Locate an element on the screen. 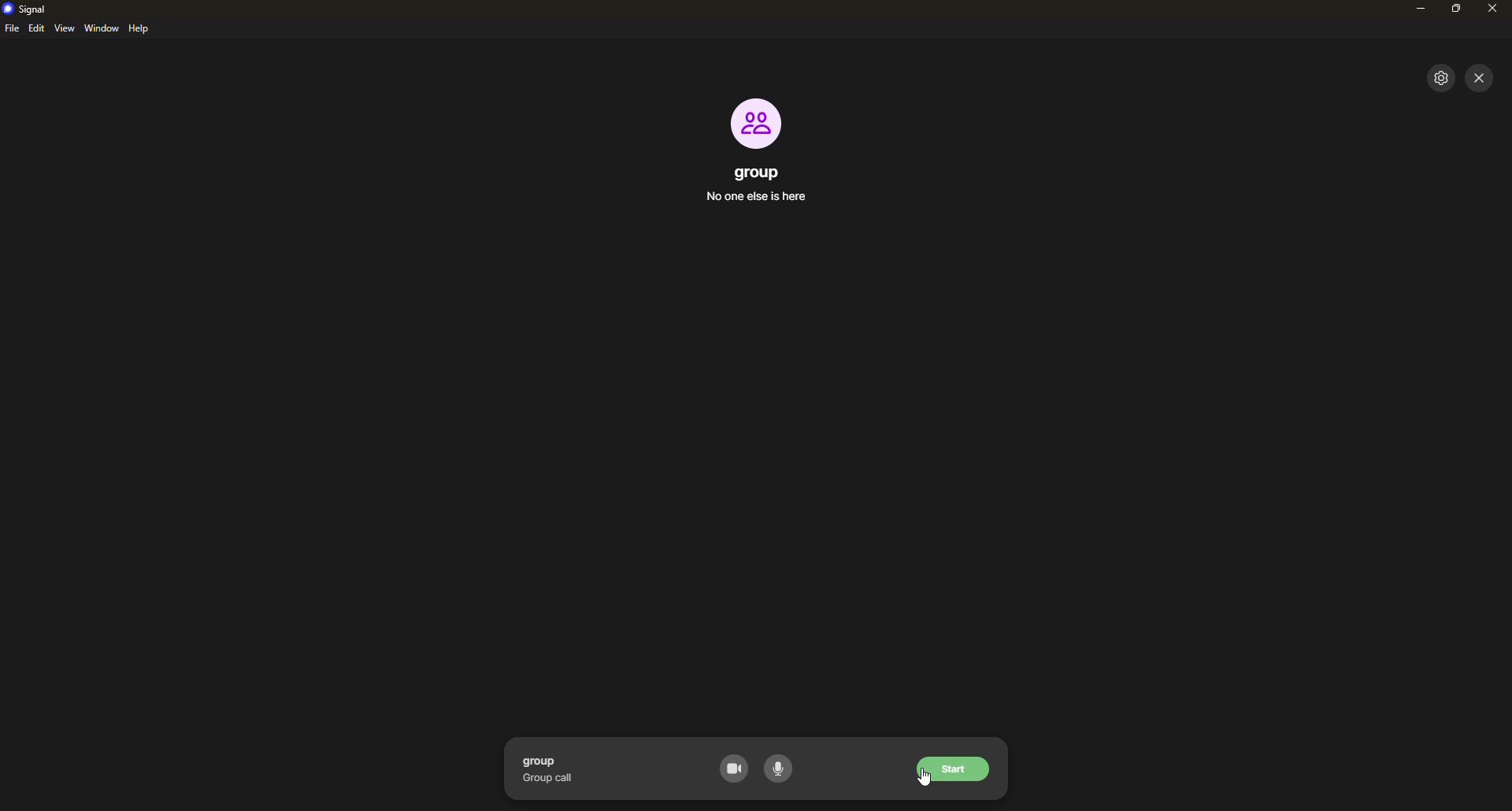  cursor is located at coordinates (922, 781).